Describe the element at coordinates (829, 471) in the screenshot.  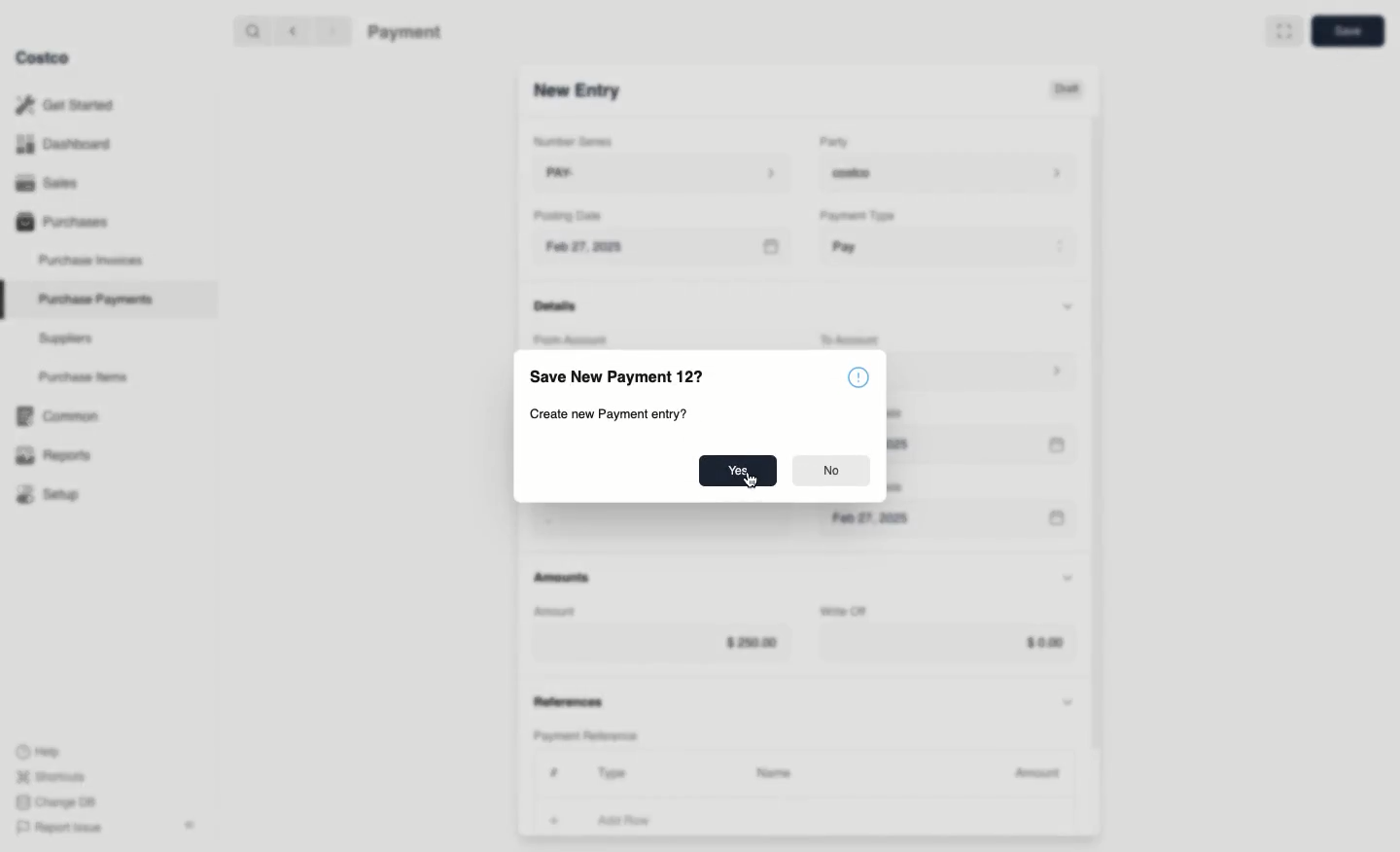
I see `No` at that location.